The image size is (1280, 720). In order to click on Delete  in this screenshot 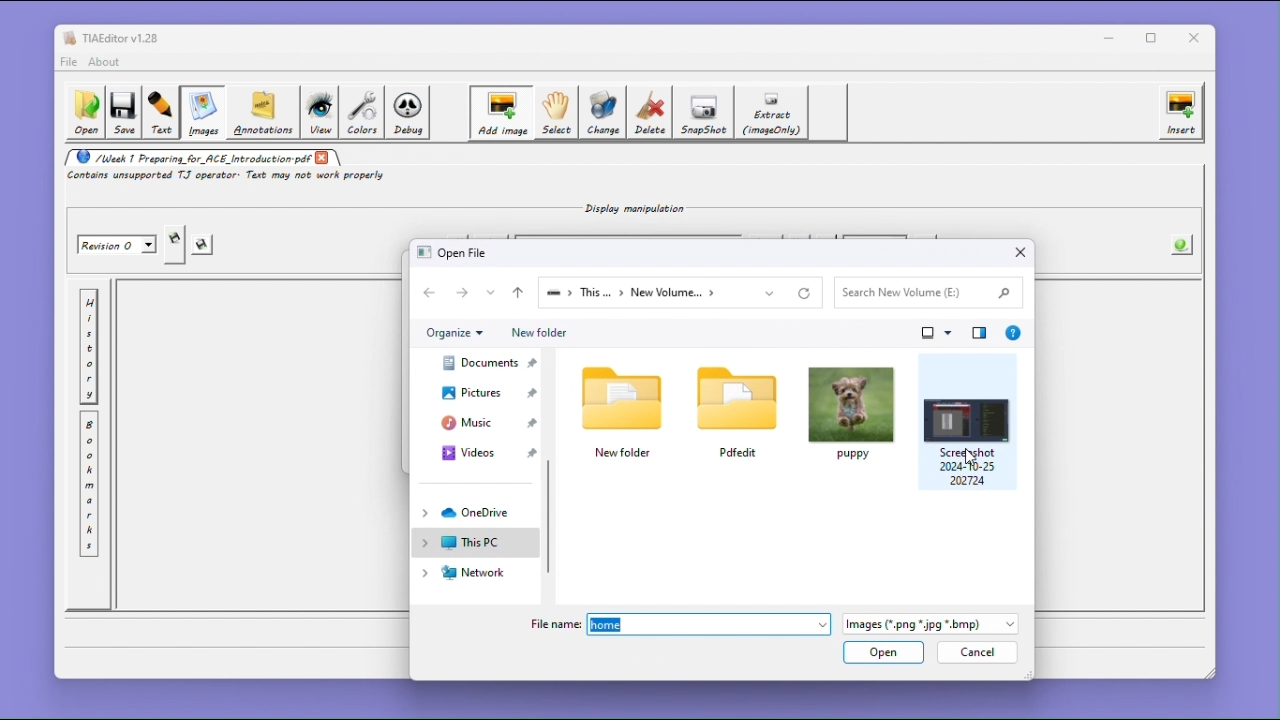, I will do `click(651, 112)`.